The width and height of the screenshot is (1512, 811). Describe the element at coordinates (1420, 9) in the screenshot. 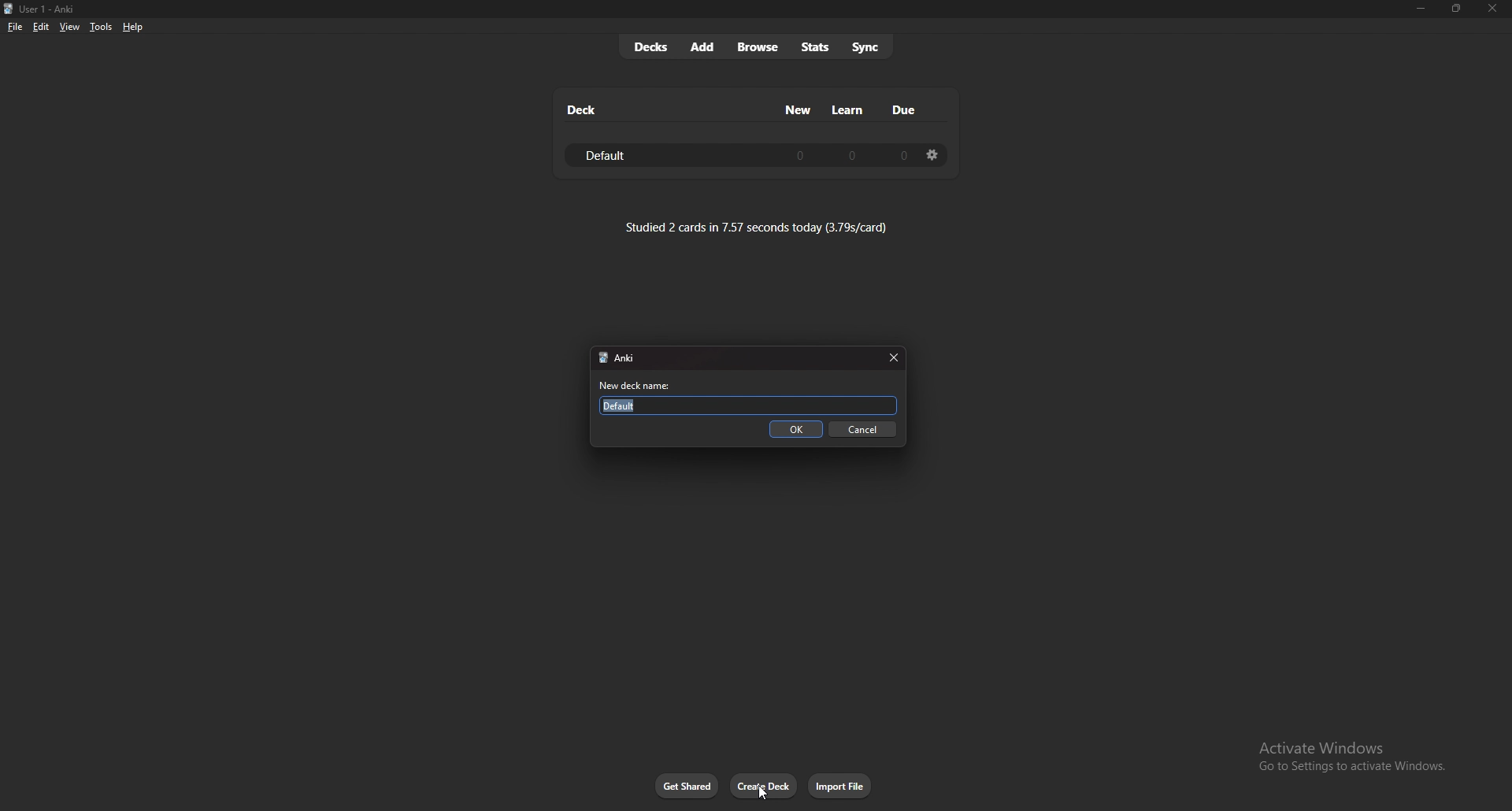

I see `minimize` at that location.